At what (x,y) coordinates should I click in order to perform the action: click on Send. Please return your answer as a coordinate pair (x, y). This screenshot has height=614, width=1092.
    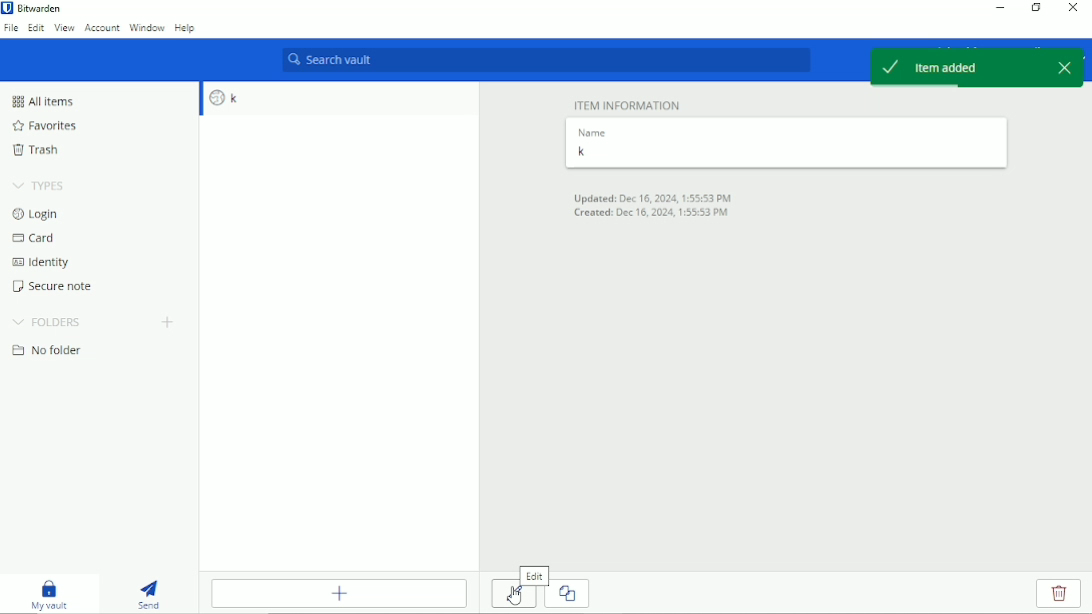
    Looking at the image, I should click on (148, 594).